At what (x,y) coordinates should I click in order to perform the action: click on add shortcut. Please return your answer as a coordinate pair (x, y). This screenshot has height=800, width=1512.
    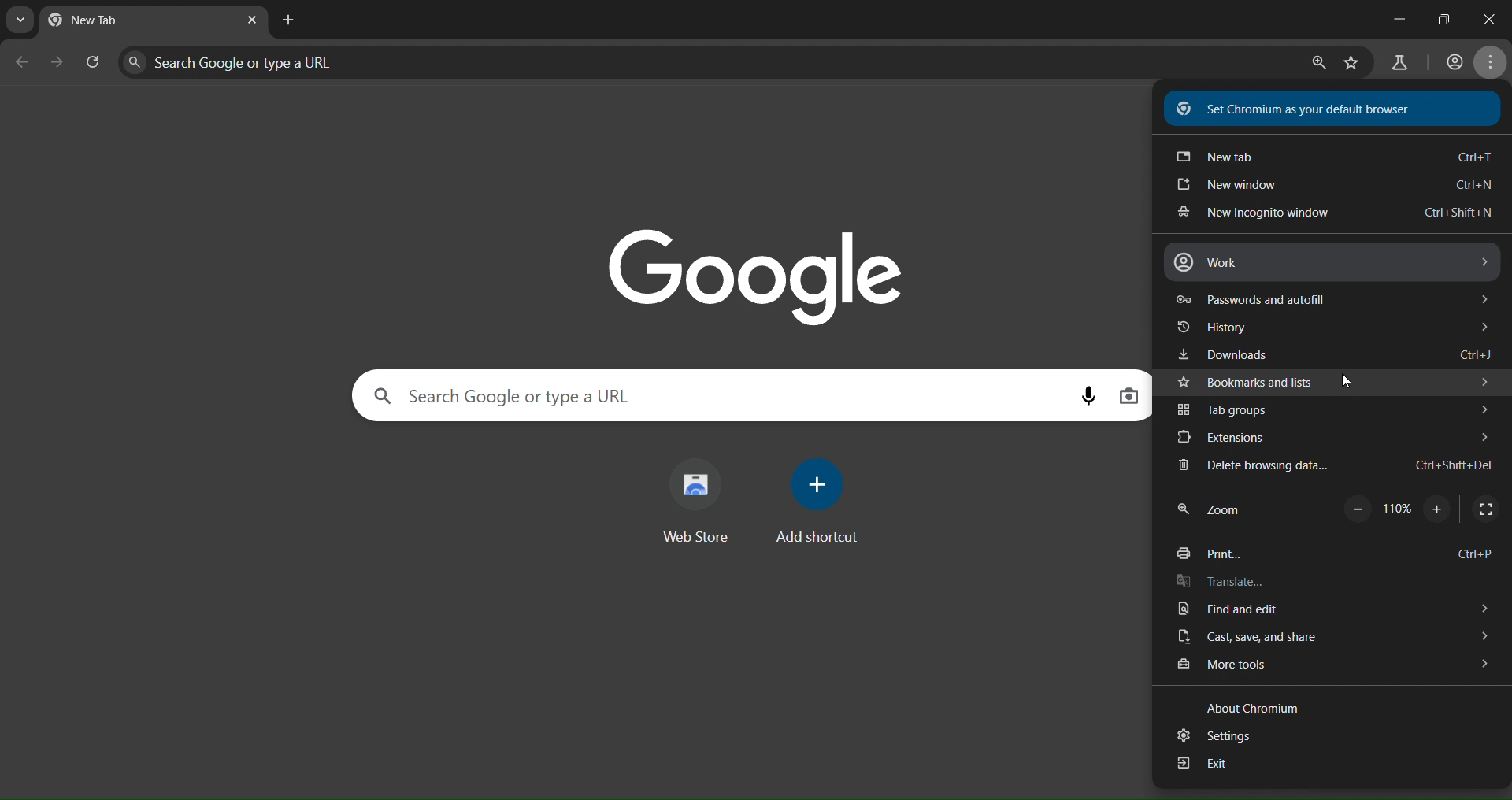
    Looking at the image, I should click on (817, 503).